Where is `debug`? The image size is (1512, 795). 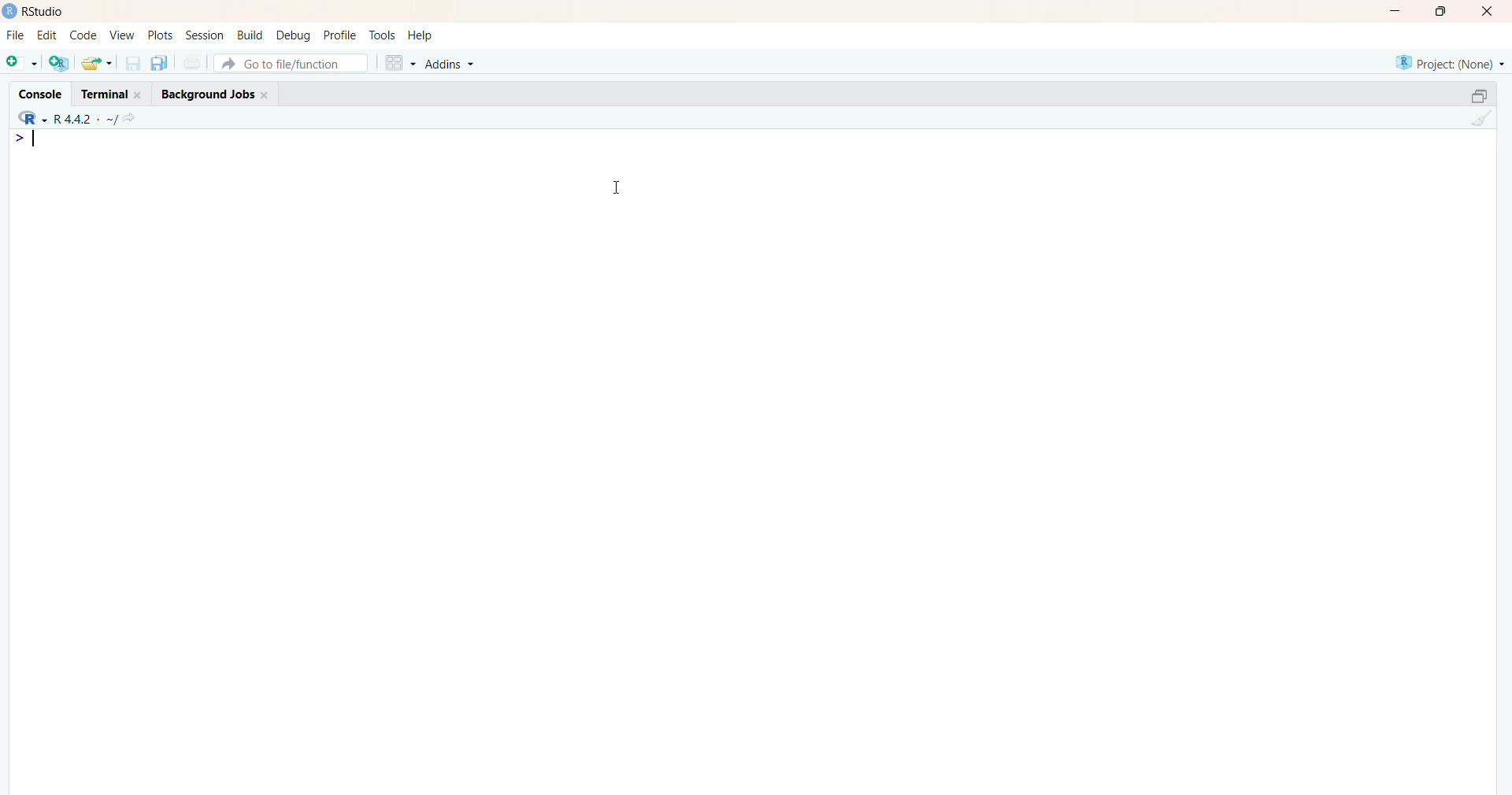
debug is located at coordinates (294, 35).